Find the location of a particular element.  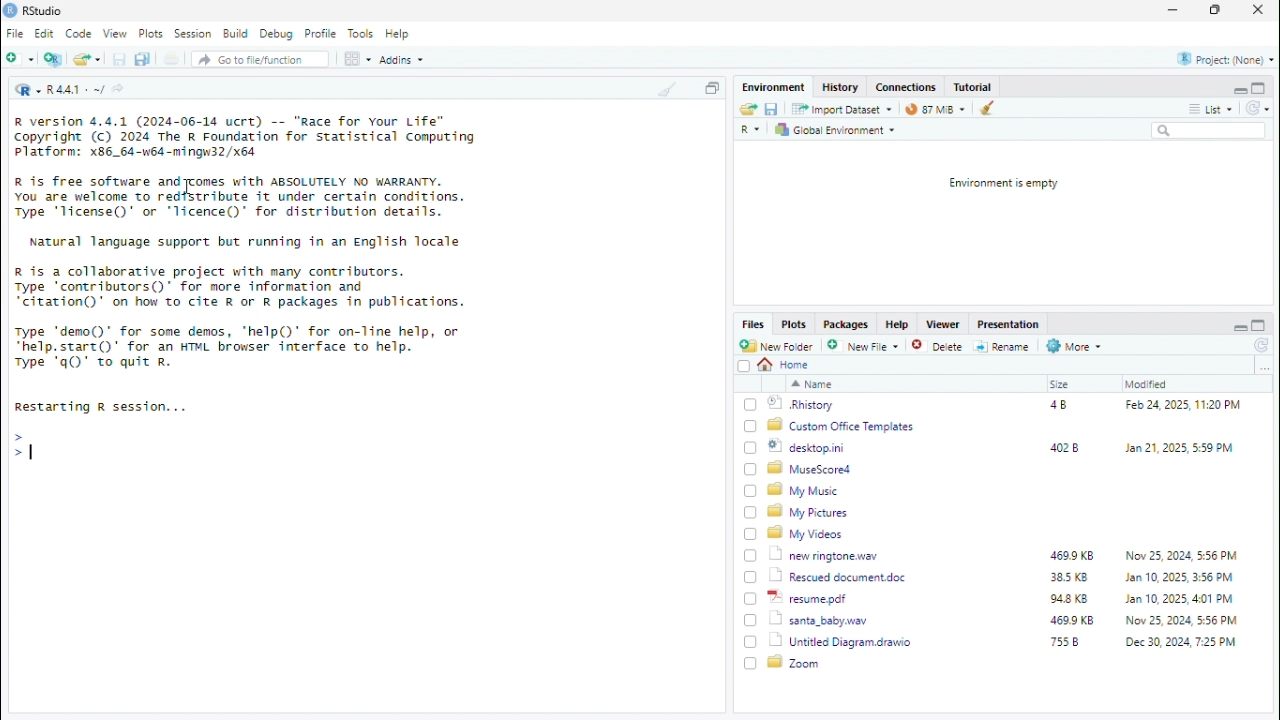

close is located at coordinates (1259, 9).